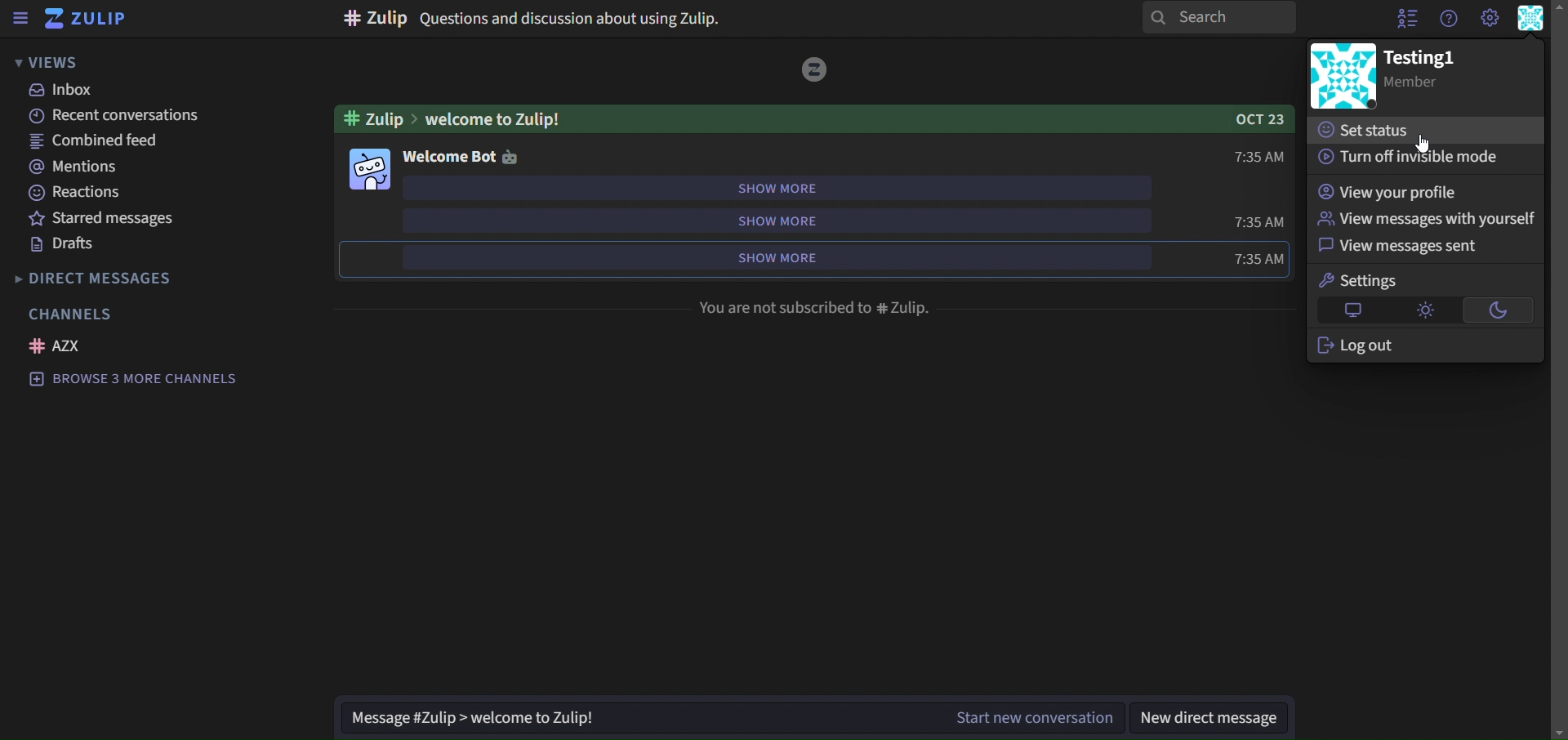 Image resolution: width=1568 pixels, height=740 pixels. Describe the element at coordinates (1361, 346) in the screenshot. I see `log out` at that location.